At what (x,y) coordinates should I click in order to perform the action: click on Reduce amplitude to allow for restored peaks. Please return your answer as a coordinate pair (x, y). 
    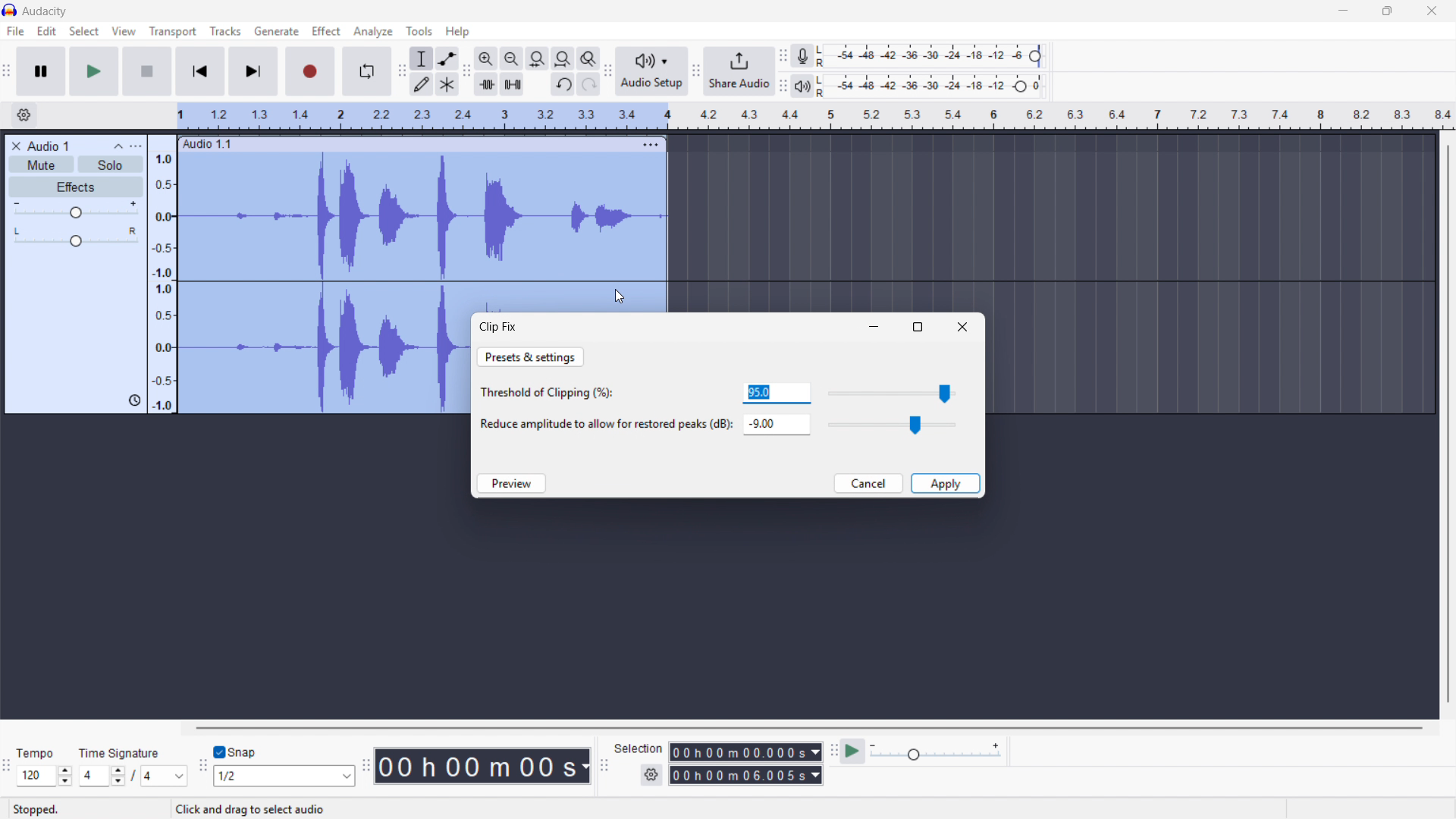
    Looking at the image, I should click on (776, 424).